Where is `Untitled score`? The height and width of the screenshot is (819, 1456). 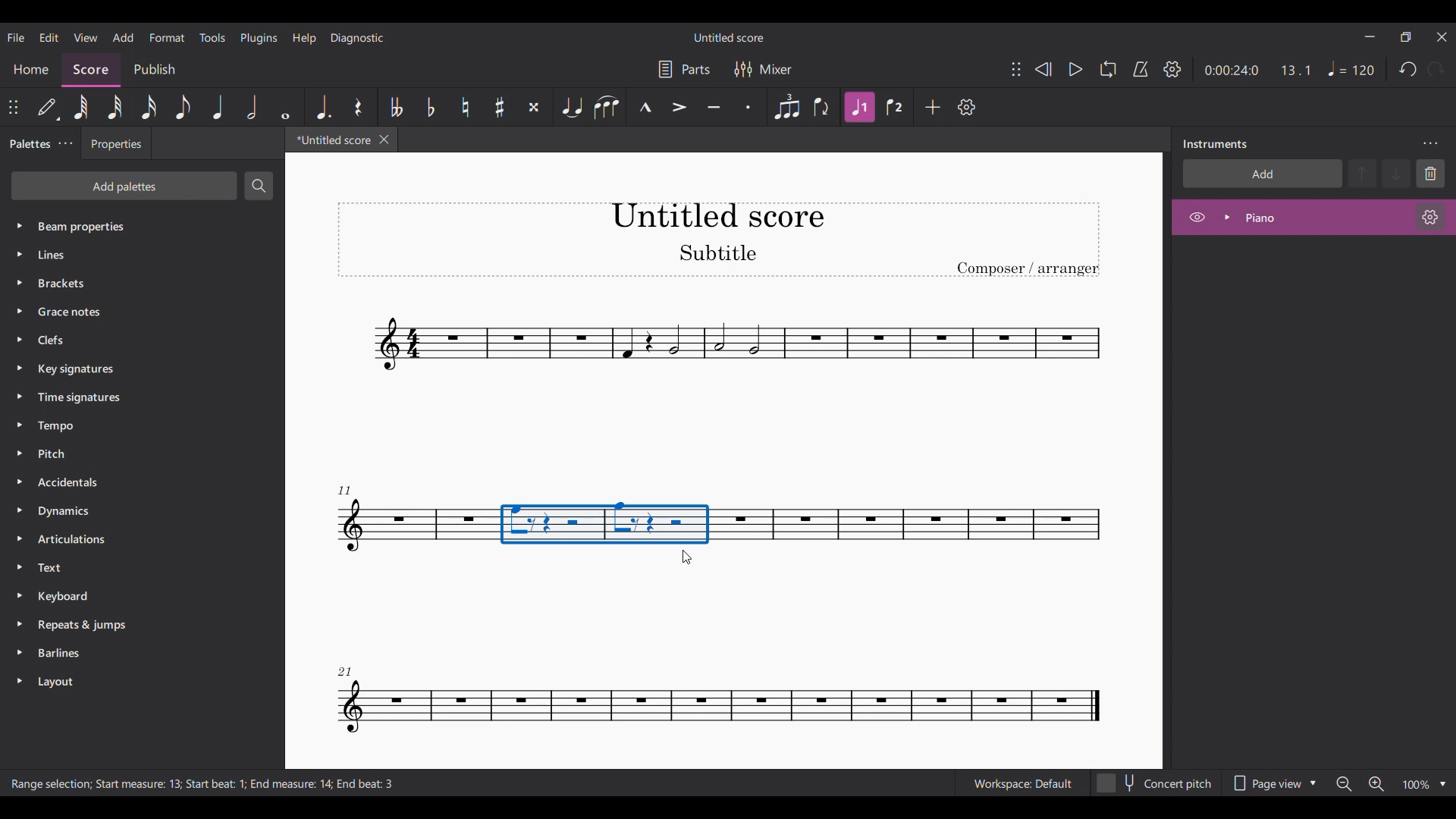 Untitled score is located at coordinates (728, 37).